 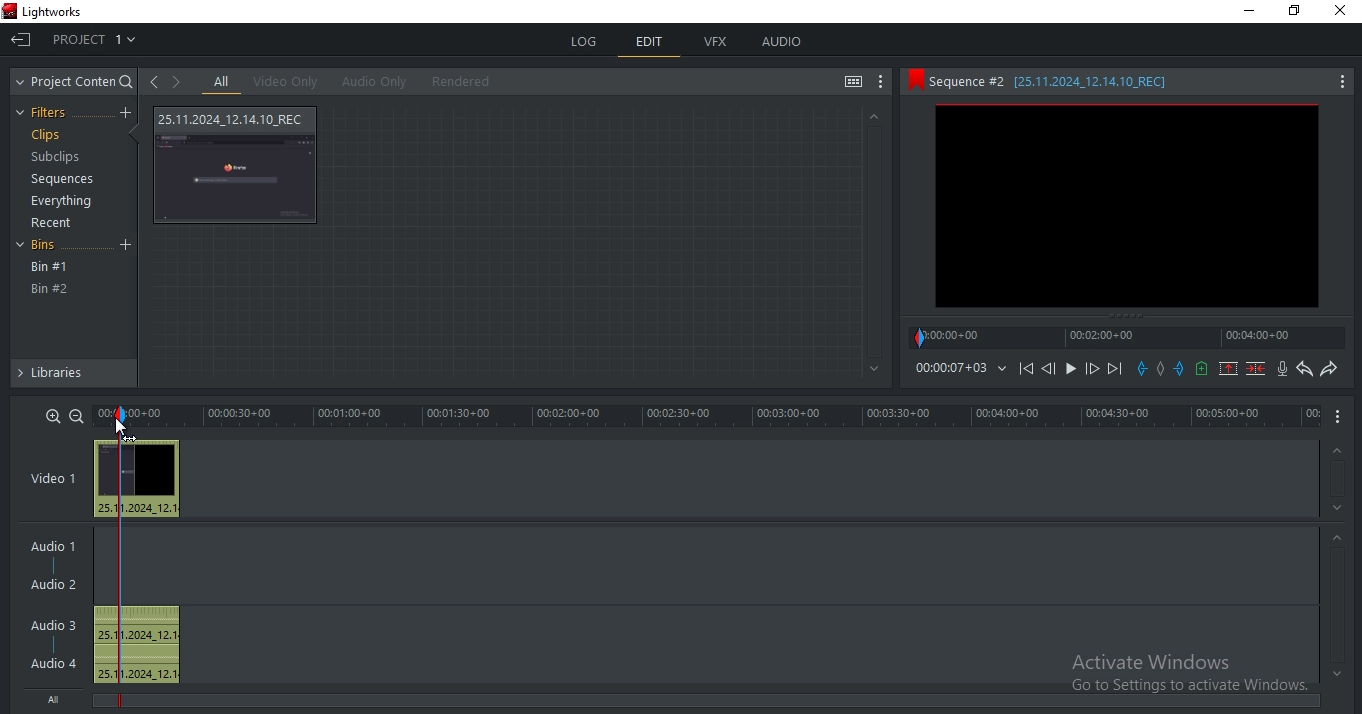 I want to click on , so click(x=176, y=83).